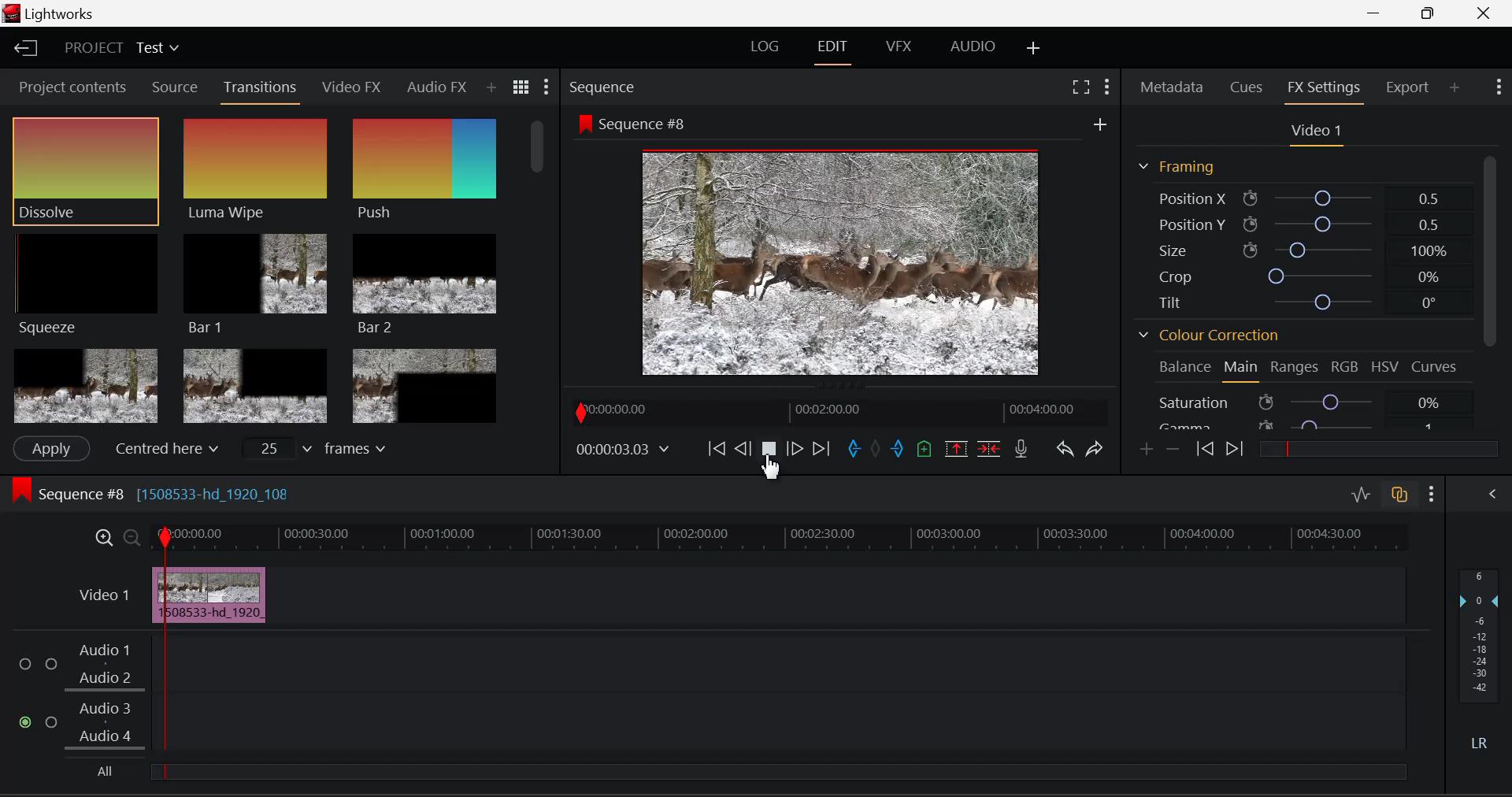 The image size is (1512, 797). I want to click on Crop, so click(1295, 273).